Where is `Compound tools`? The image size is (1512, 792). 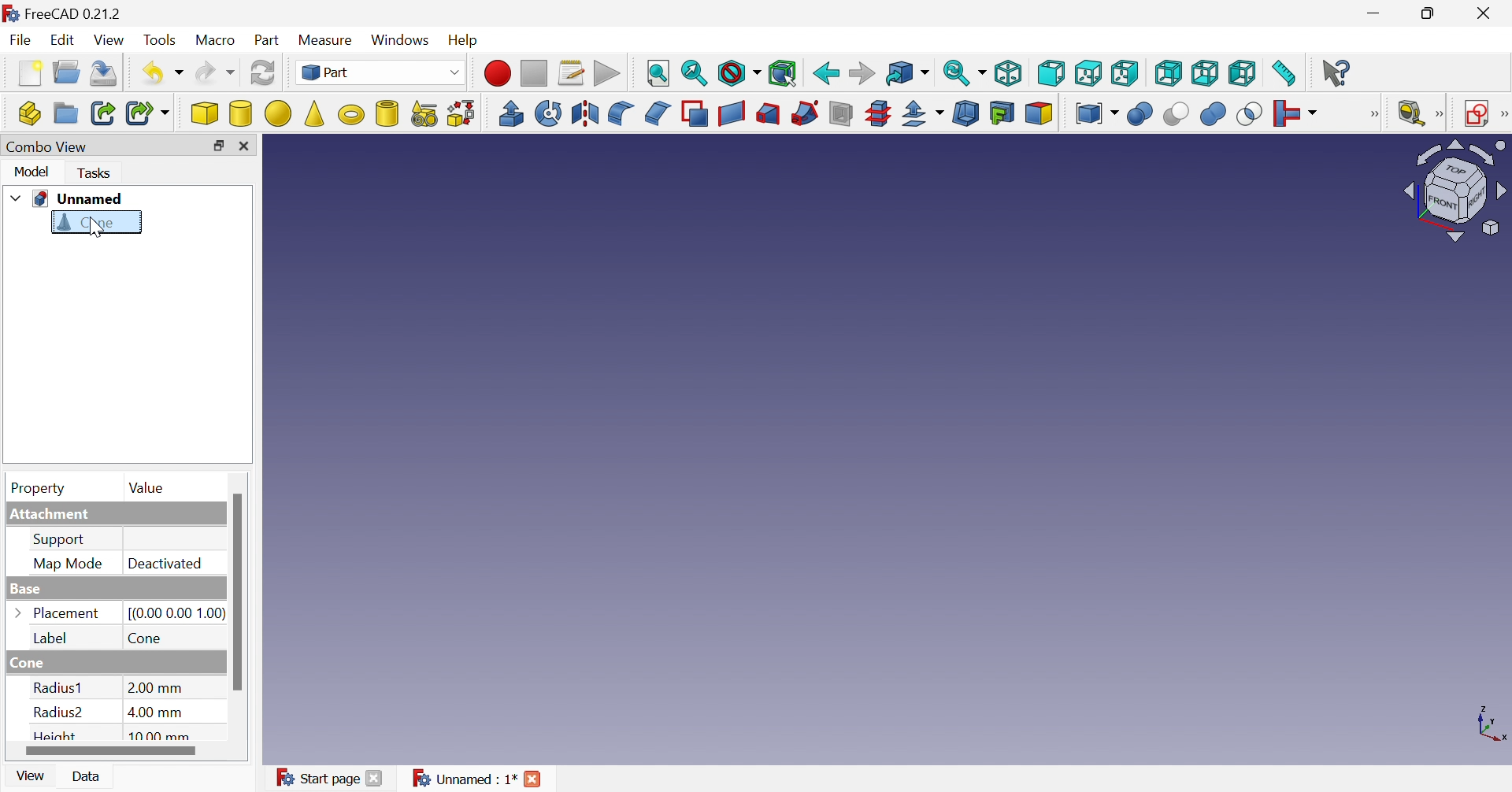
Compound tools is located at coordinates (1094, 113).